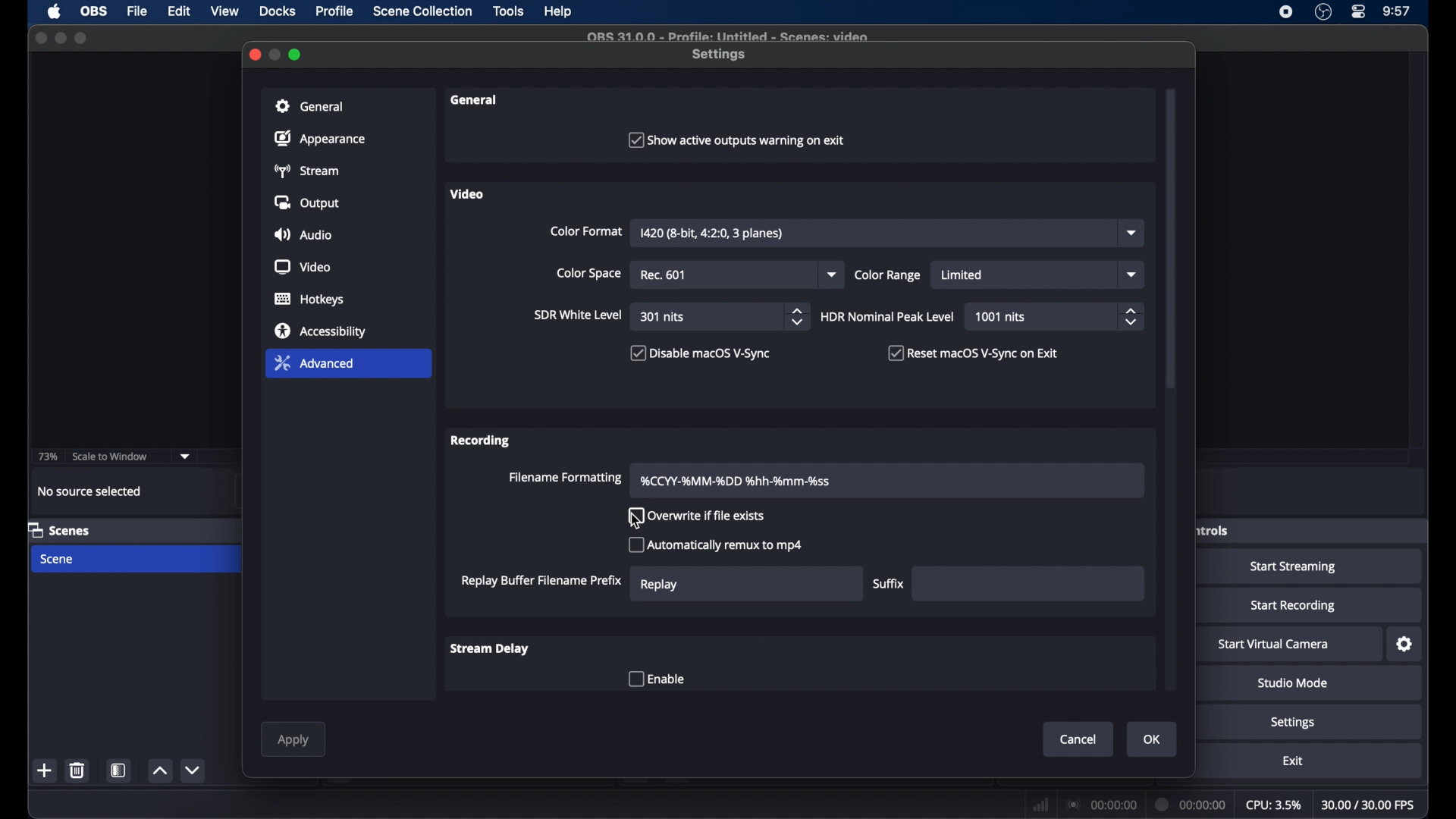 This screenshot has height=819, width=1456. What do you see at coordinates (109, 457) in the screenshot?
I see `scale to window` at bounding box center [109, 457].